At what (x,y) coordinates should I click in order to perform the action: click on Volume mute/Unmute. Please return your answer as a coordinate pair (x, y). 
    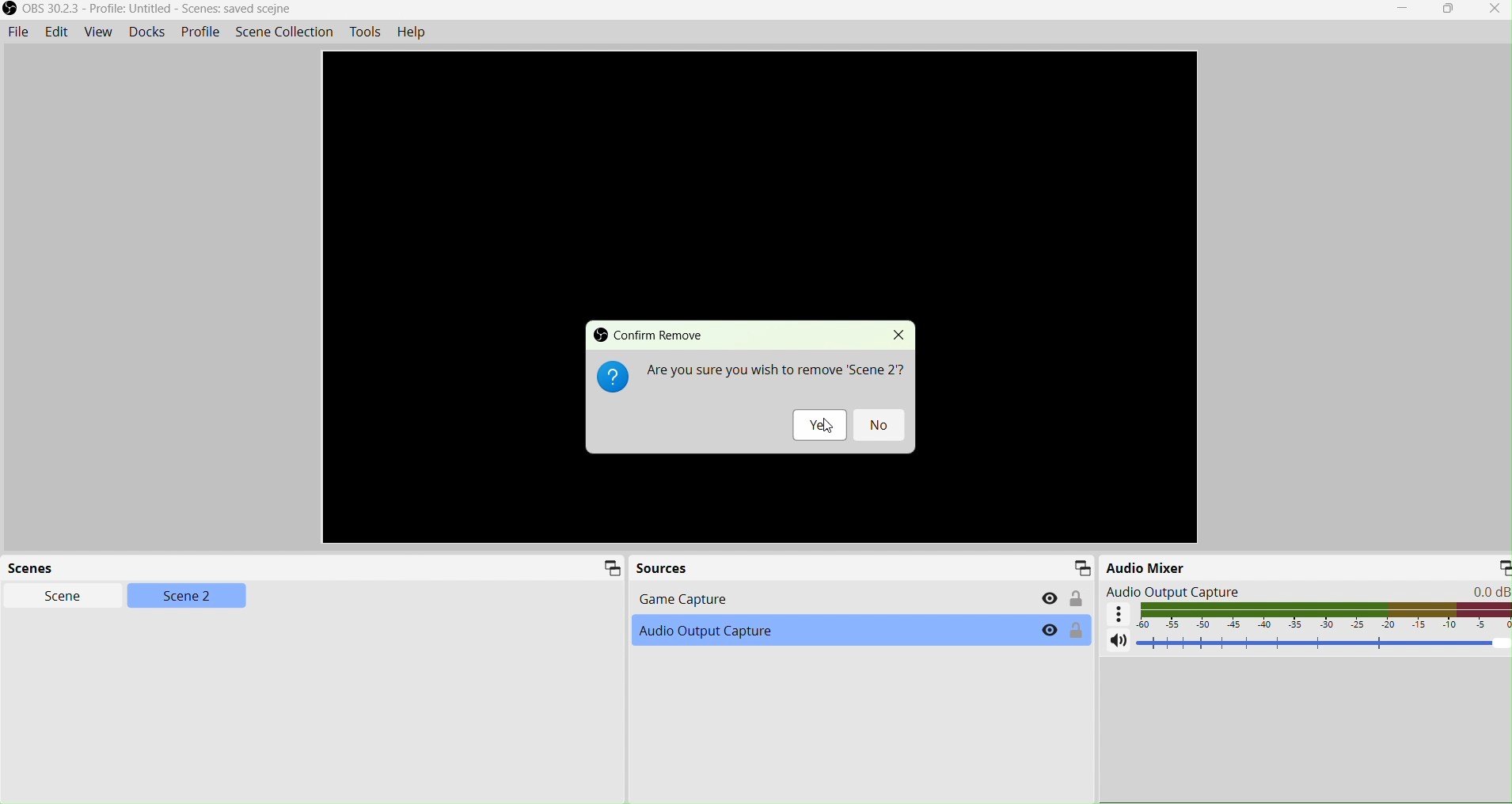
    Looking at the image, I should click on (1119, 644).